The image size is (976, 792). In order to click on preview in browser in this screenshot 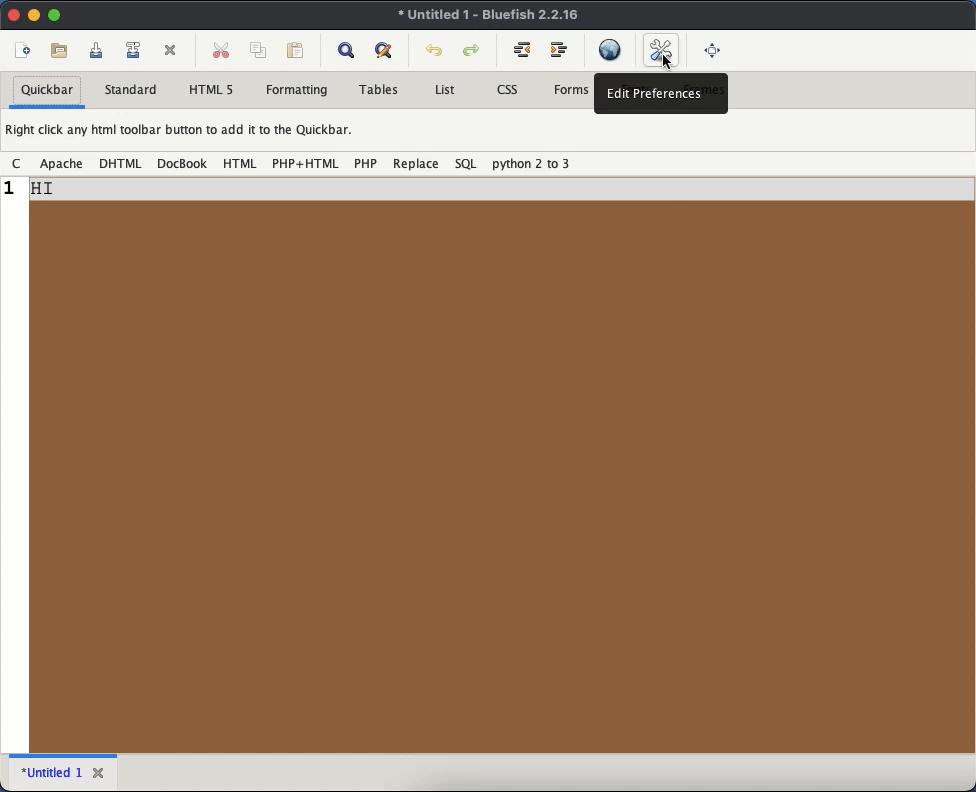, I will do `click(612, 49)`.